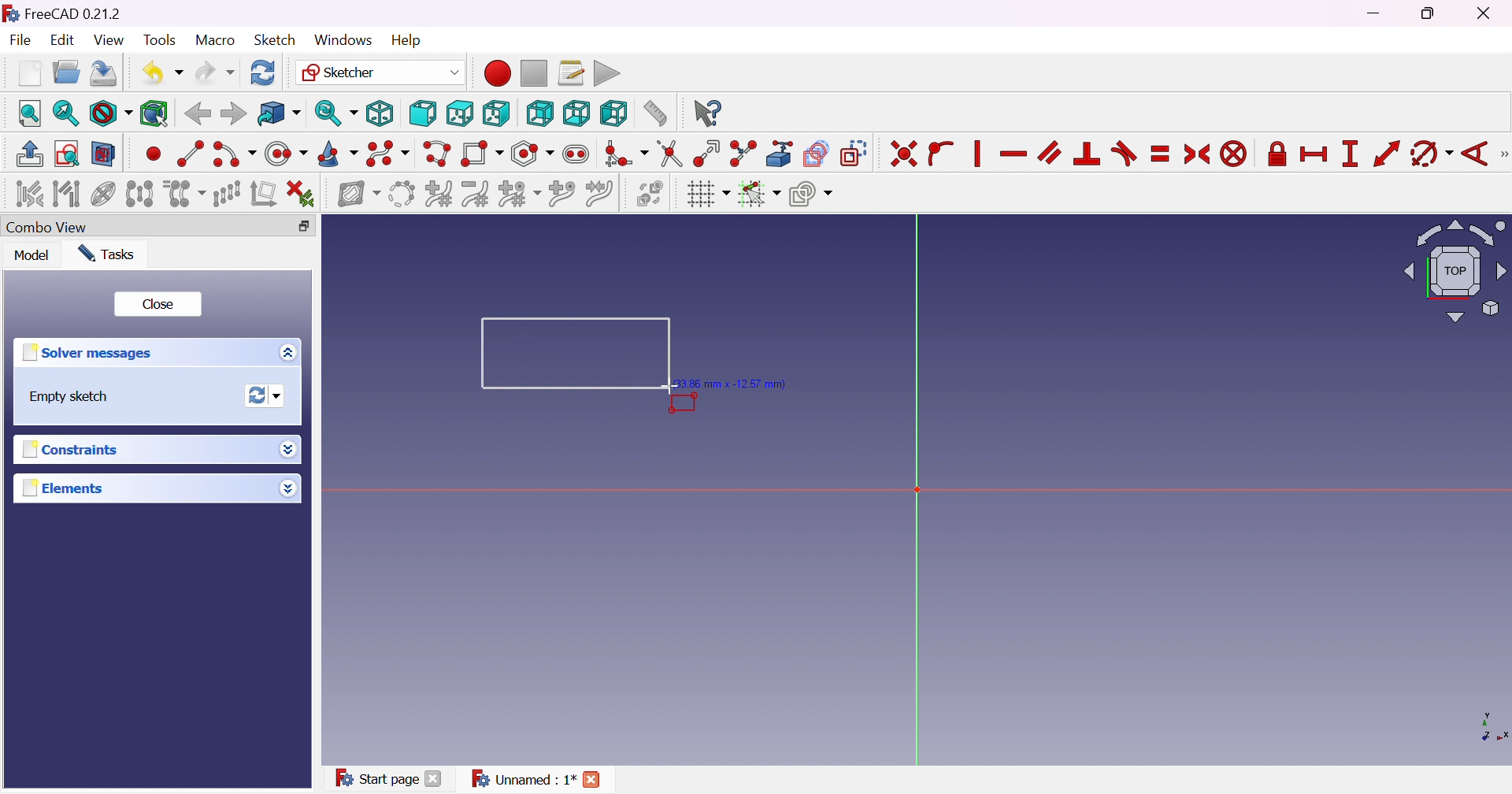 Image resolution: width=1512 pixels, height=794 pixels. What do you see at coordinates (213, 40) in the screenshot?
I see `Macro` at bounding box center [213, 40].